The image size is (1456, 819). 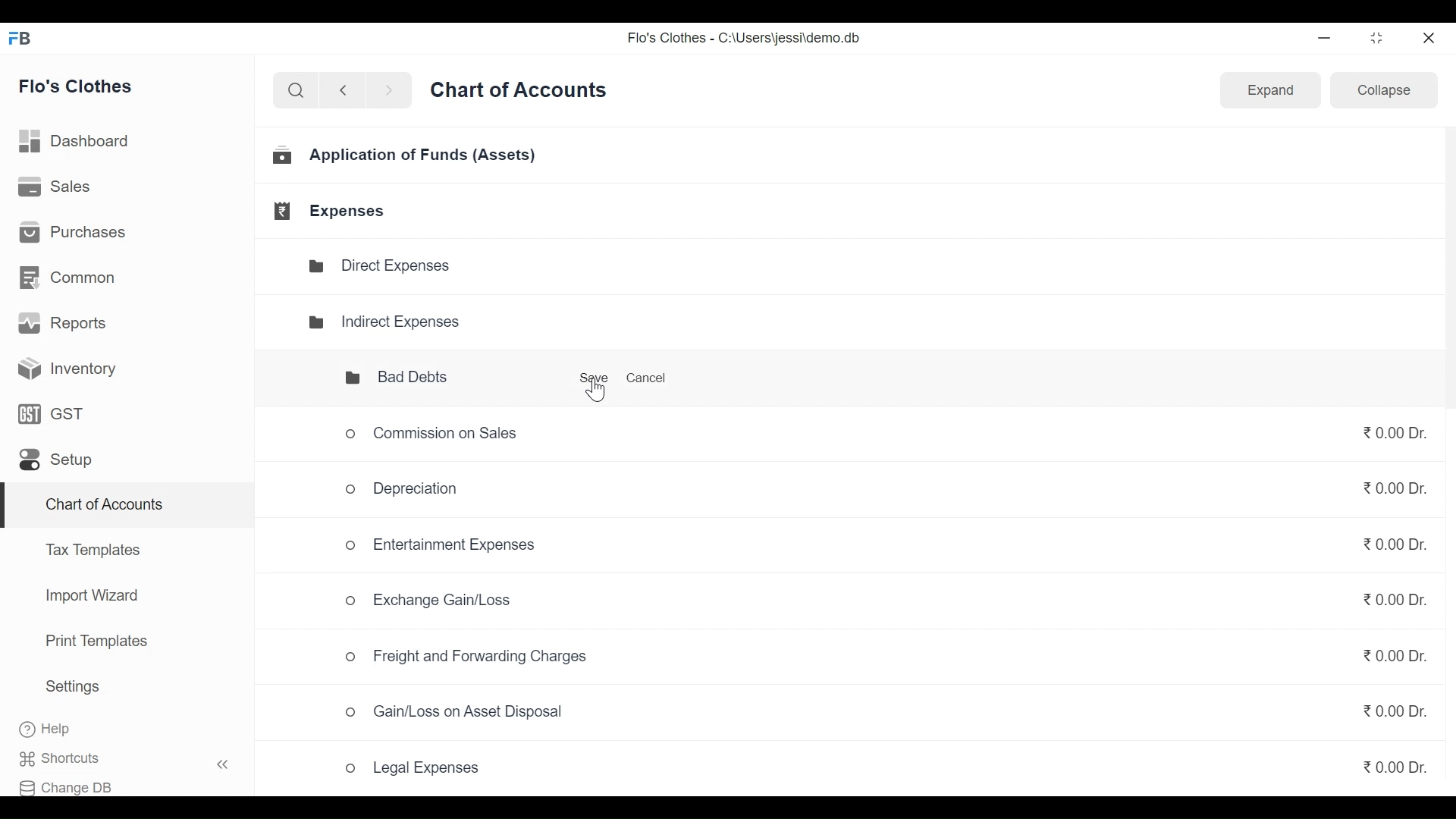 What do you see at coordinates (1386, 93) in the screenshot?
I see `Collapse` at bounding box center [1386, 93].